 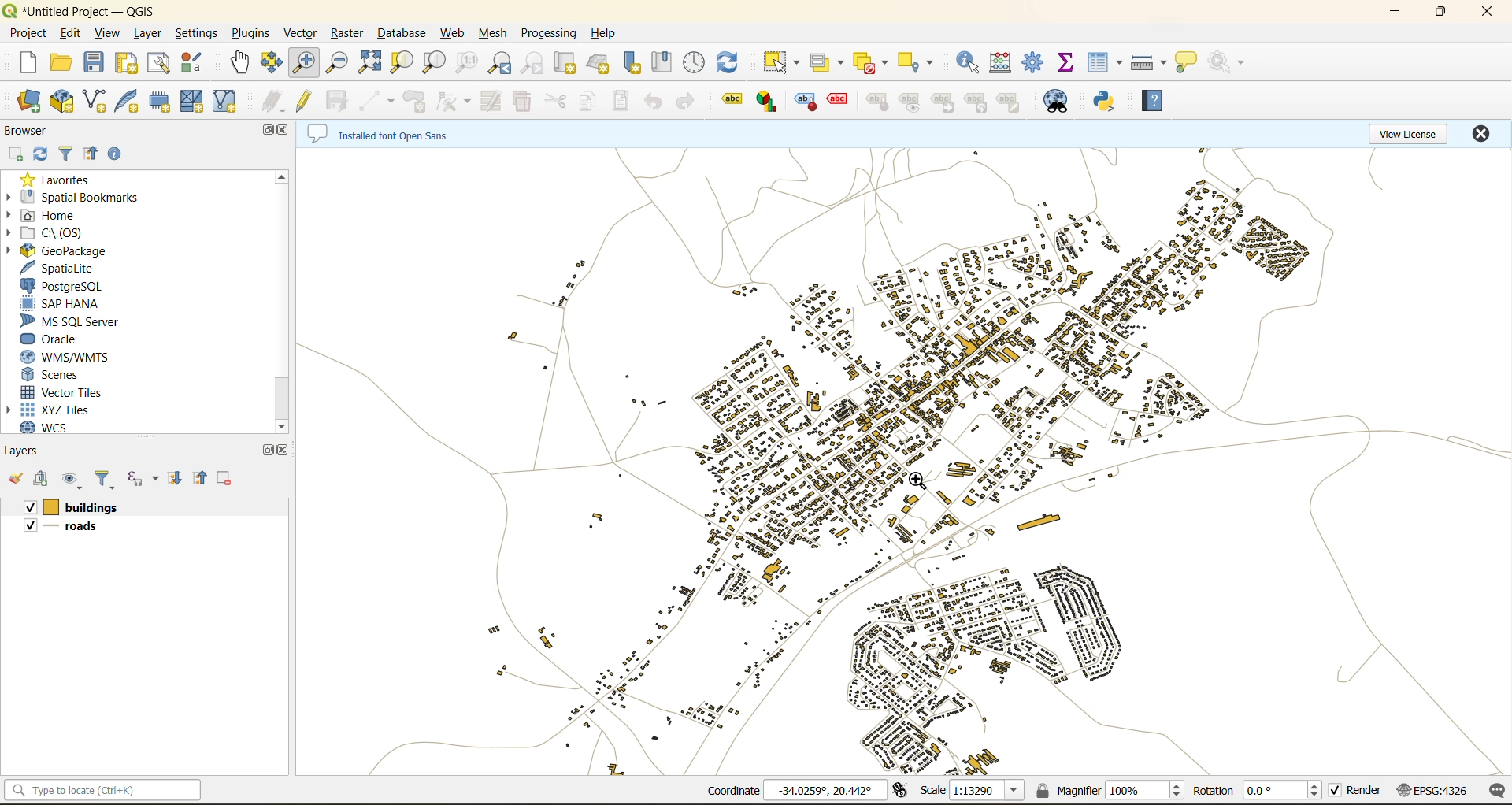 What do you see at coordinates (898, 793) in the screenshot?
I see `toggle extents` at bounding box center [898, 793].